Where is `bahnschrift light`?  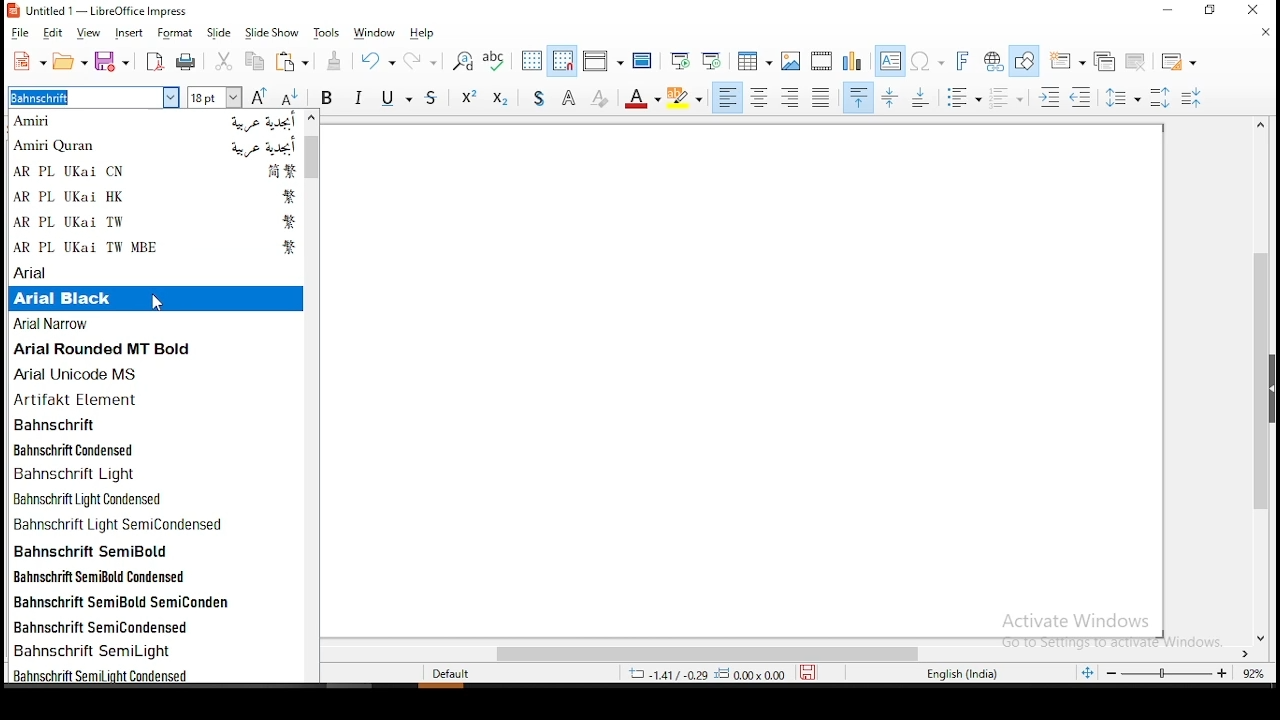
bahnschrift light is located at coordinates (156, 473).